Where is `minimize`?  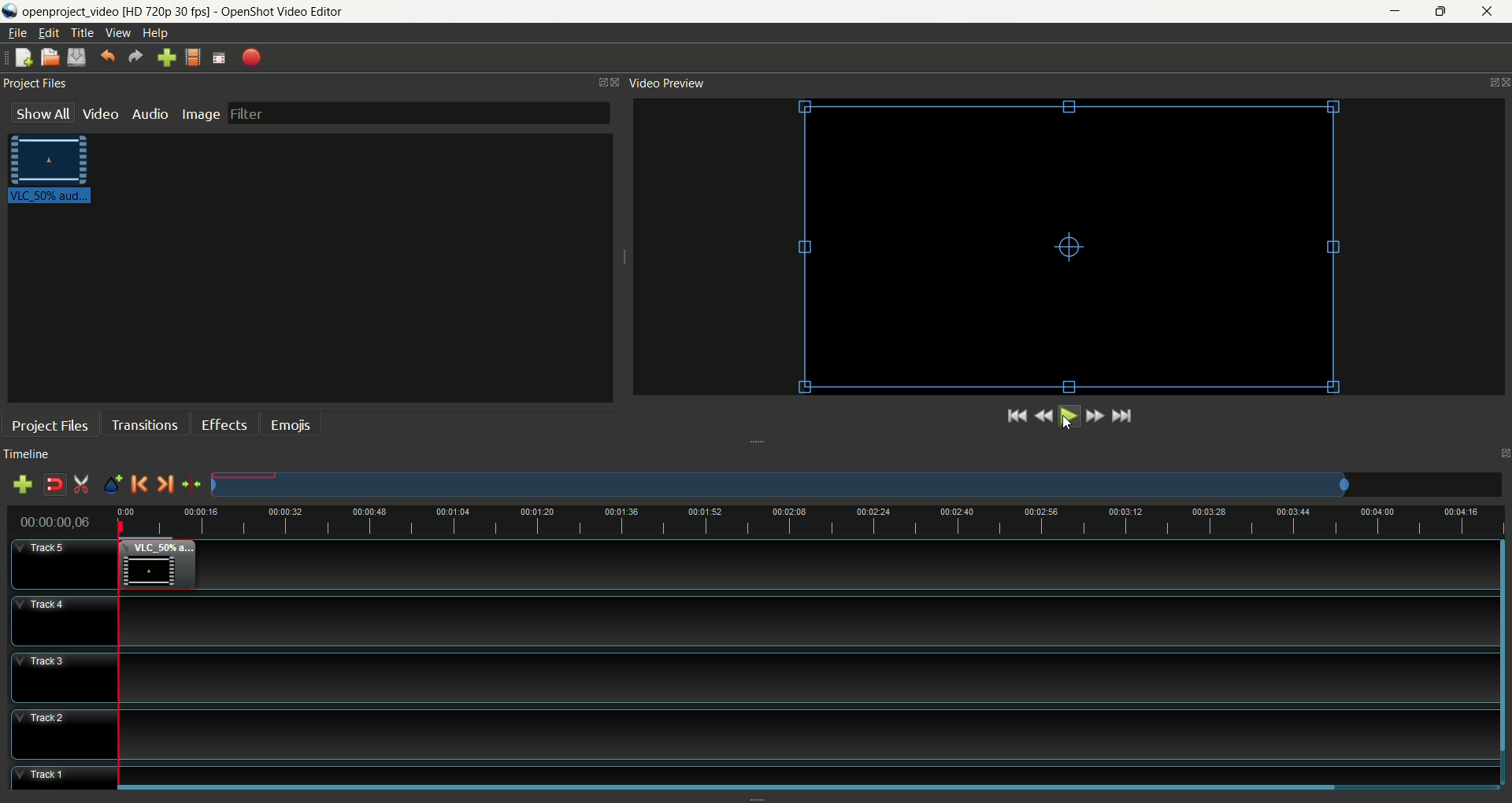 minimize is located at coordinates (1392, 12).